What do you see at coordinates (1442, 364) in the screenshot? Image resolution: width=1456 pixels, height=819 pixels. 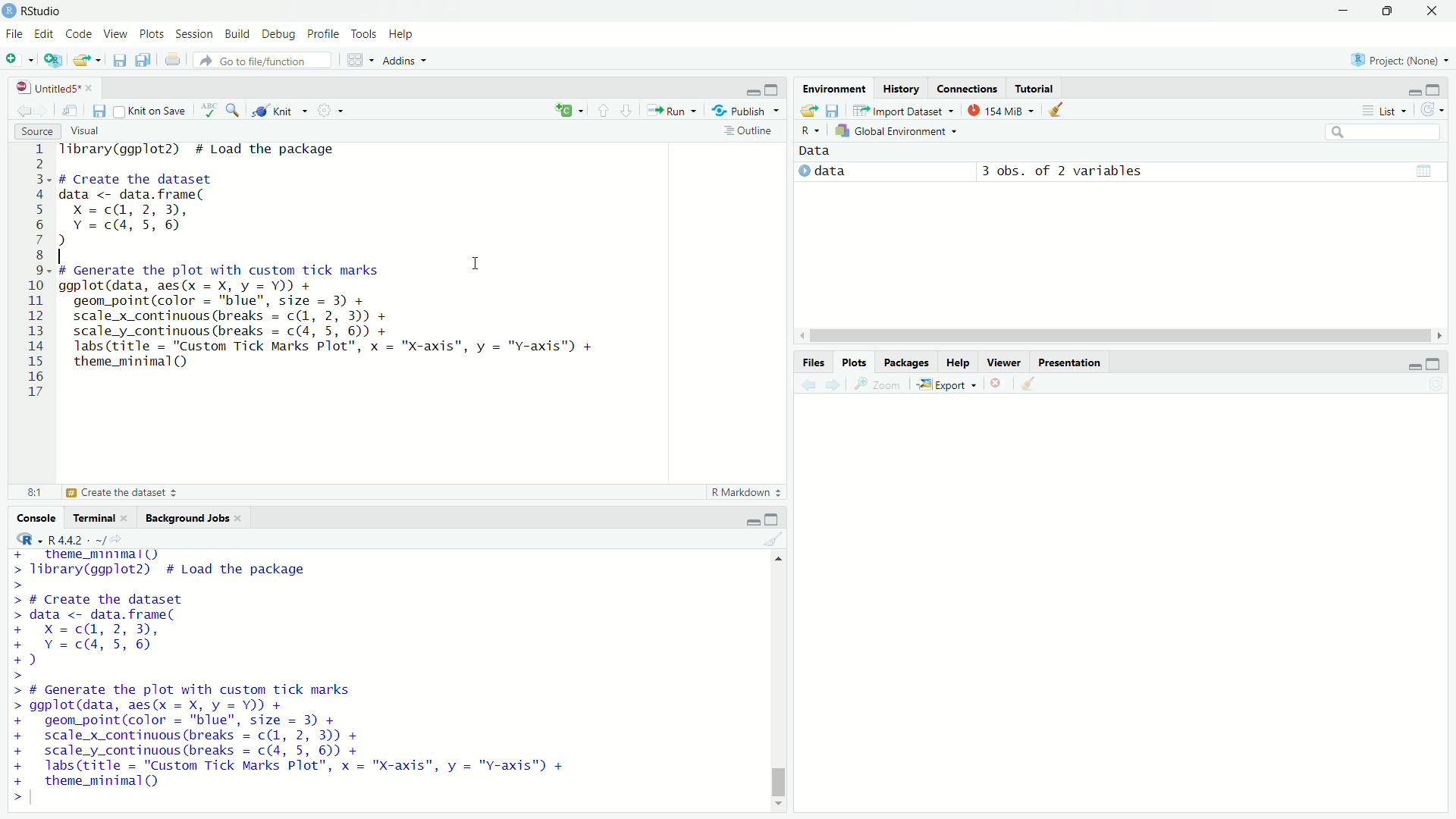 I see `maximize` at bounding box center [1442, 364].